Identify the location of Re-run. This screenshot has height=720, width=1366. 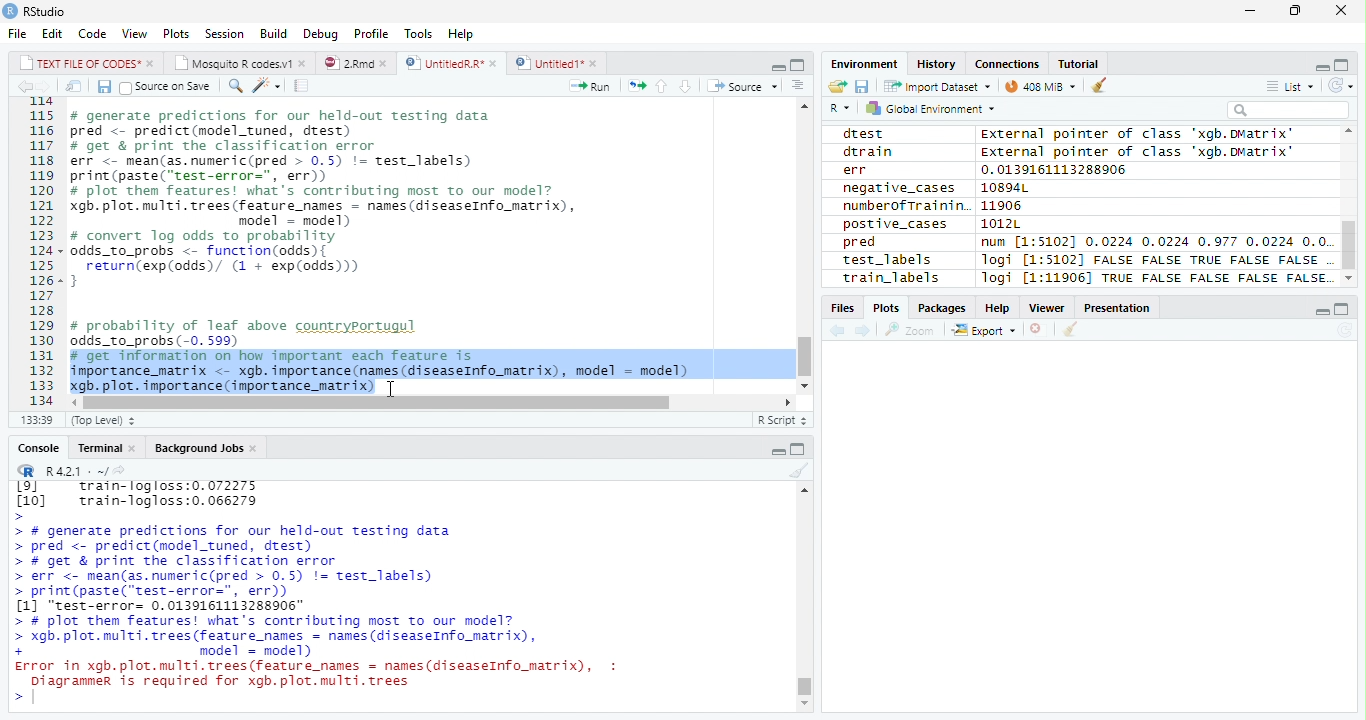
(633, 84).